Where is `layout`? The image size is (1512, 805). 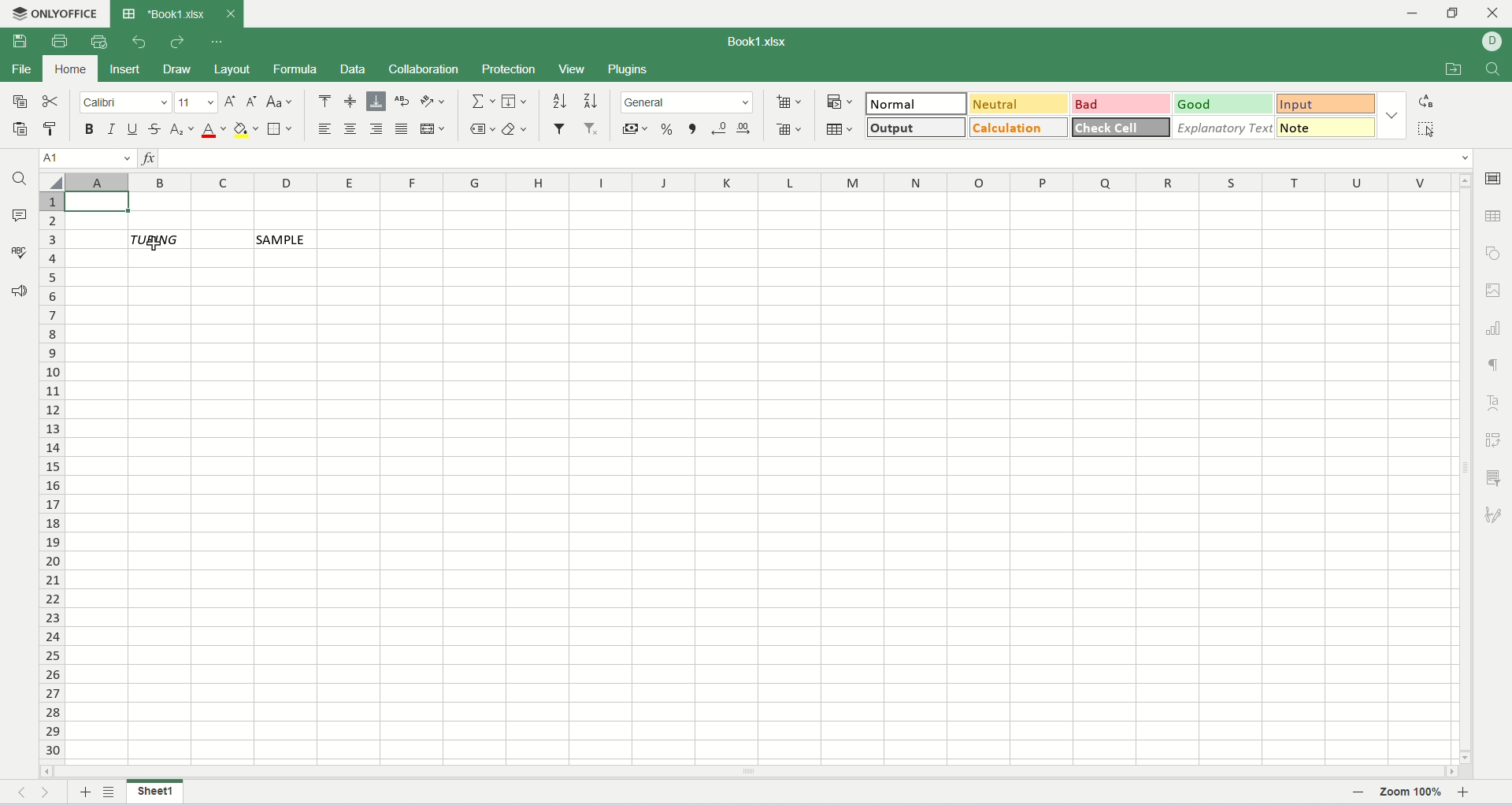
layout is located at coordinates (235, 72).